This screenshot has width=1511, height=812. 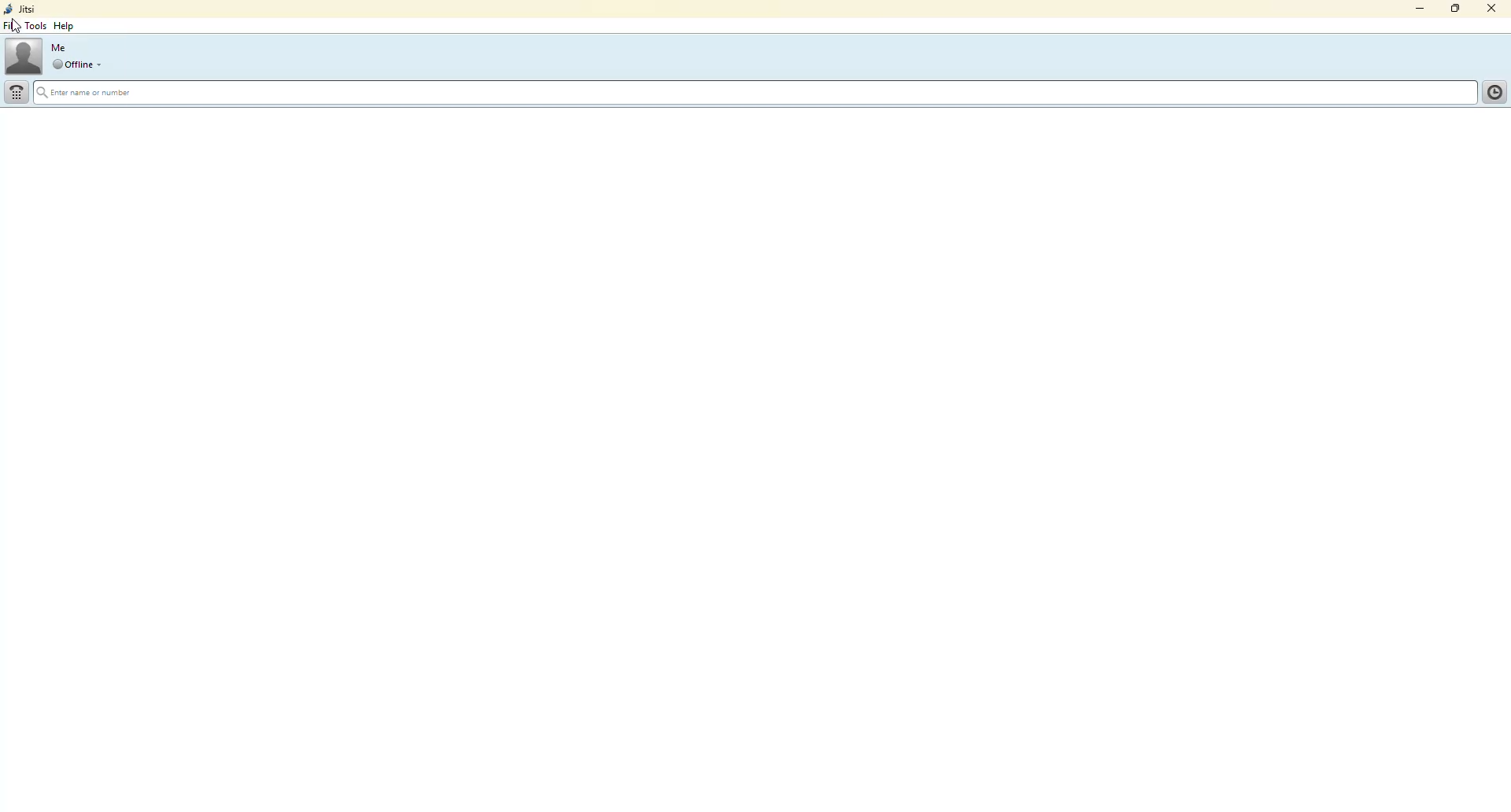 What do you see at coordinates (62, 48) in the screenshot?
I see `me` at bounding box center [62, 48].